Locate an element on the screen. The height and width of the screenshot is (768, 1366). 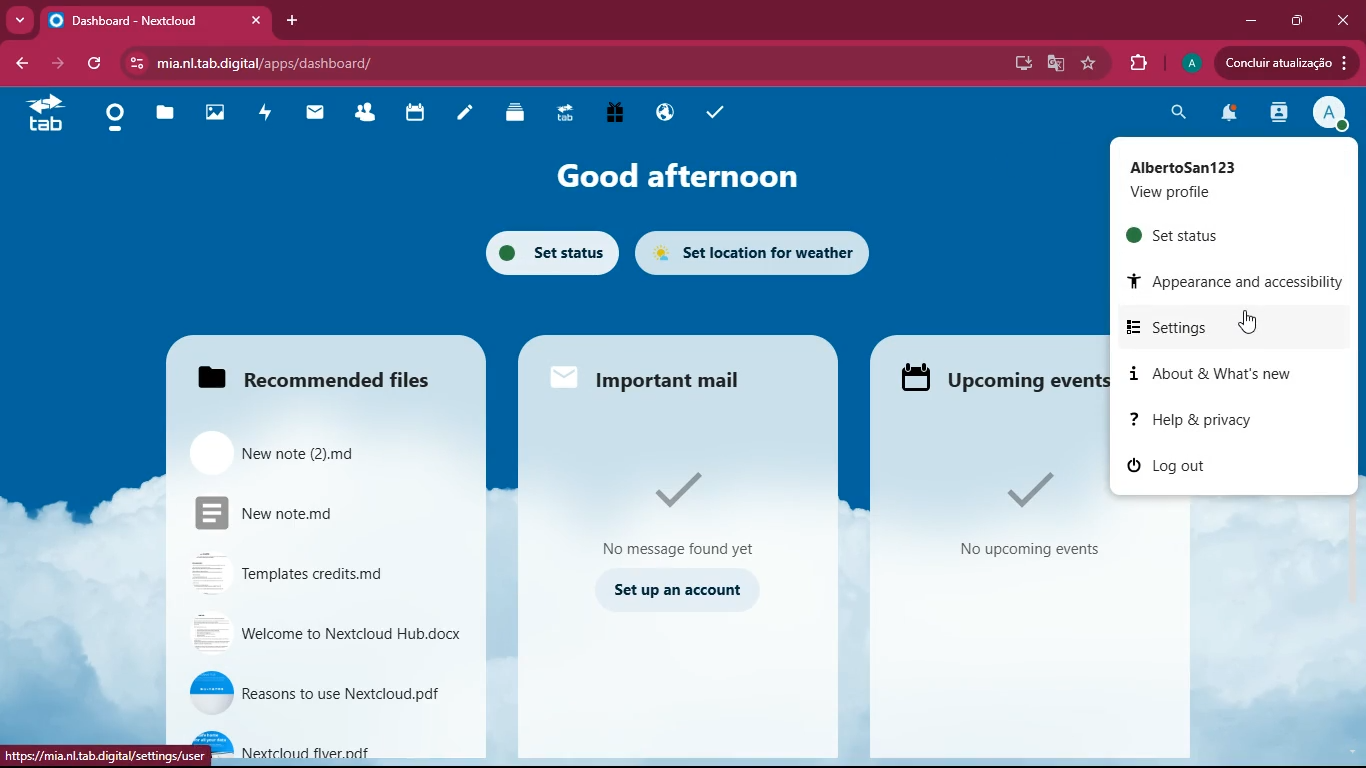
tab is located at coordinates (160, 21).